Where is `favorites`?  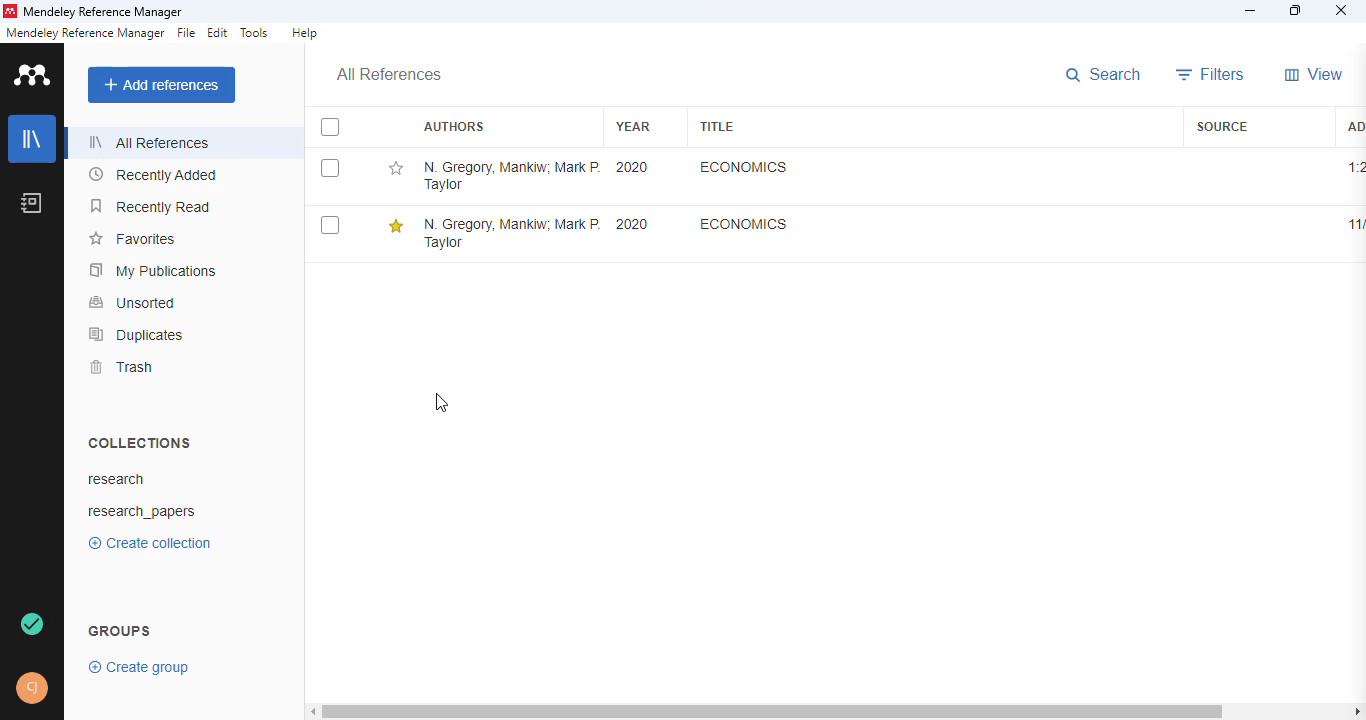 favorites is located at coordinates (132, 239).